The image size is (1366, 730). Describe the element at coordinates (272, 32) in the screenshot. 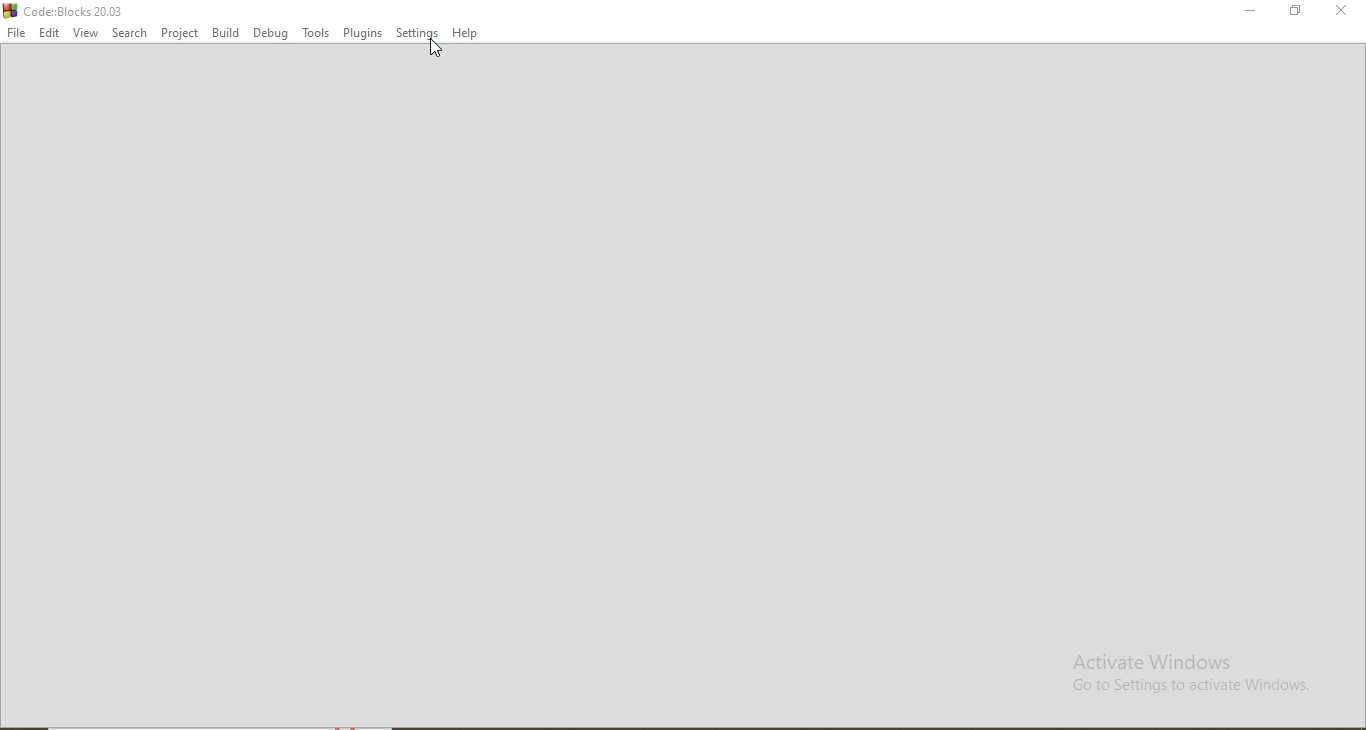

I see `Debug ` at that location.